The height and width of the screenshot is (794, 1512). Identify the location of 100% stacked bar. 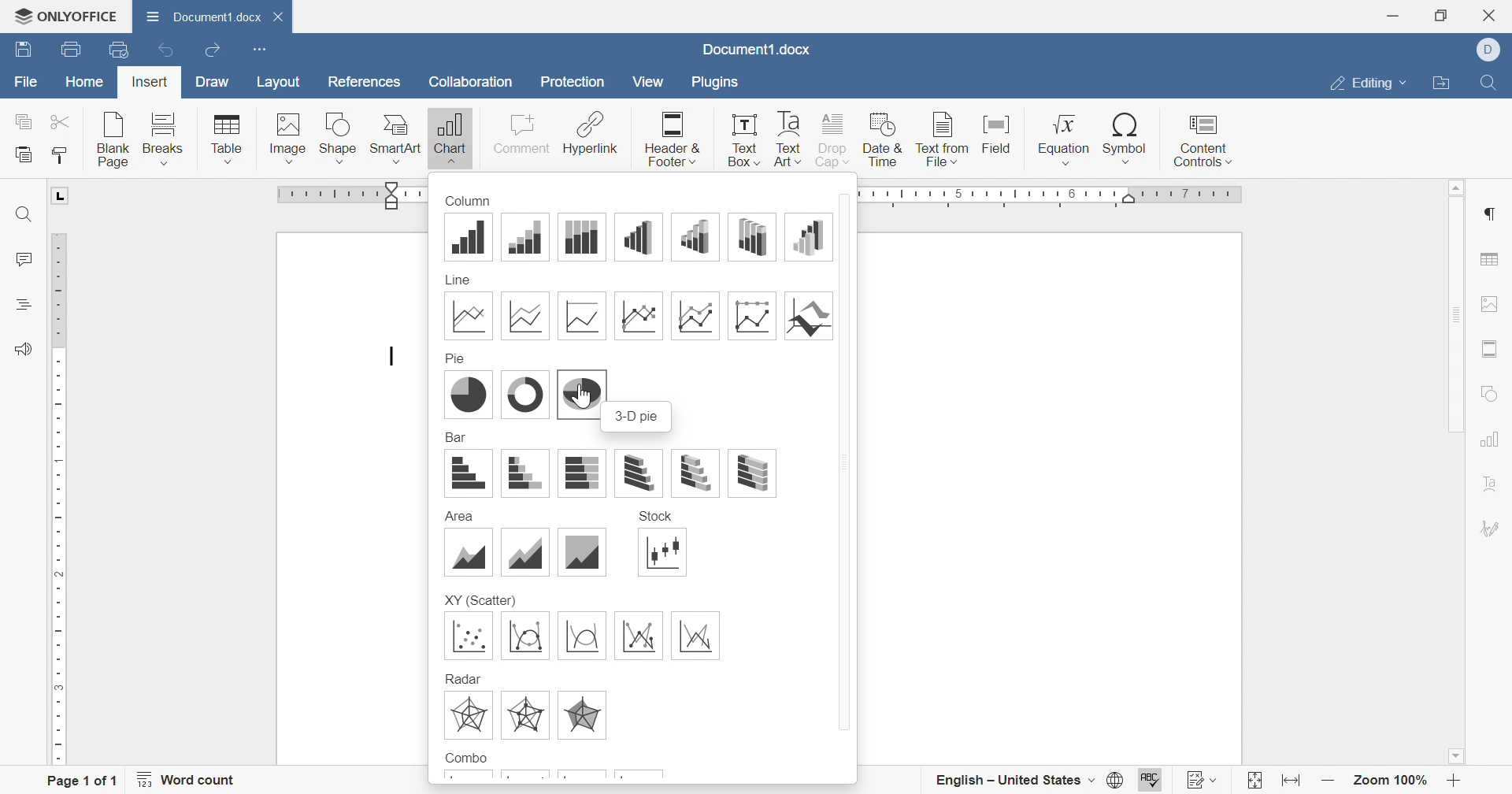
(581, 473).